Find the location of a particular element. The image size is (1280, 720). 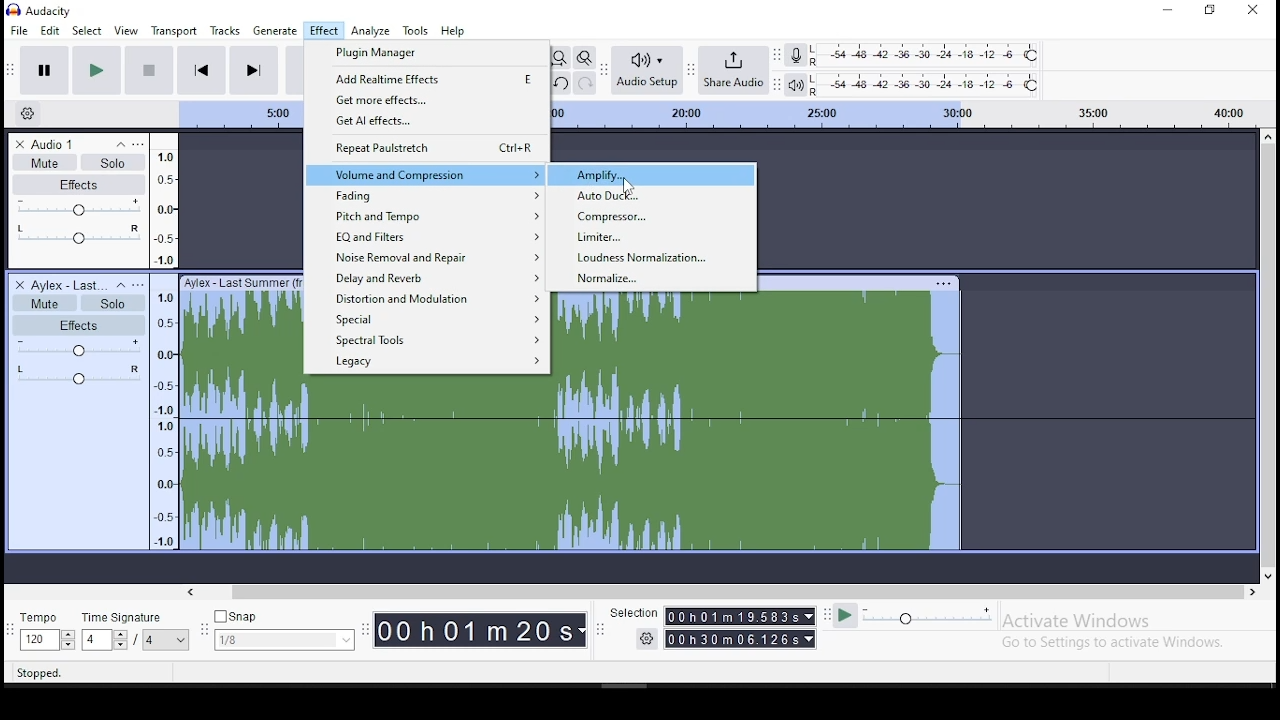

redo is located at coordinates (584, 83).